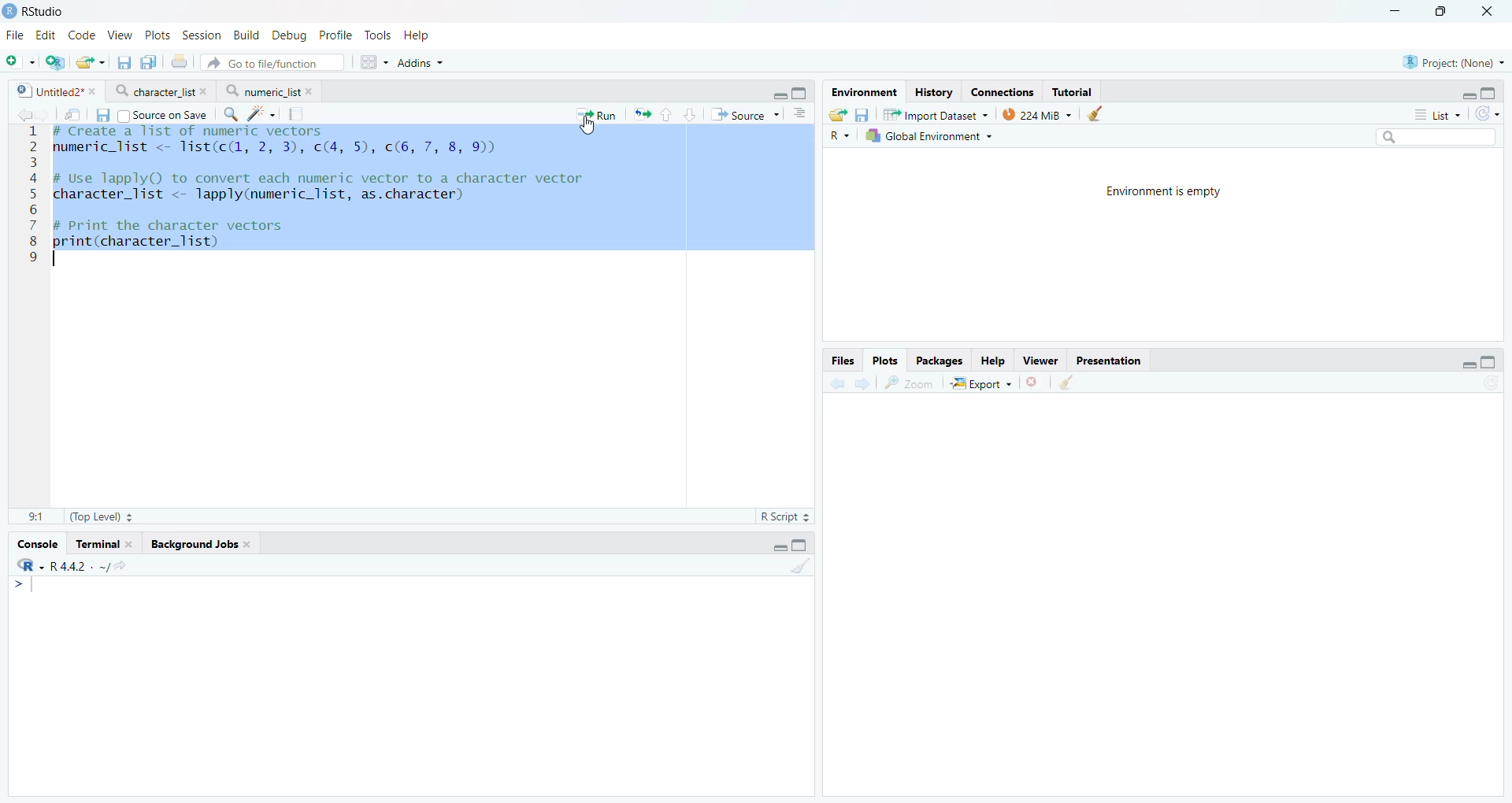 Image resolution: width=1512 pixels, height=803 pixels. I want to click on 1:1, so click(35, 516).